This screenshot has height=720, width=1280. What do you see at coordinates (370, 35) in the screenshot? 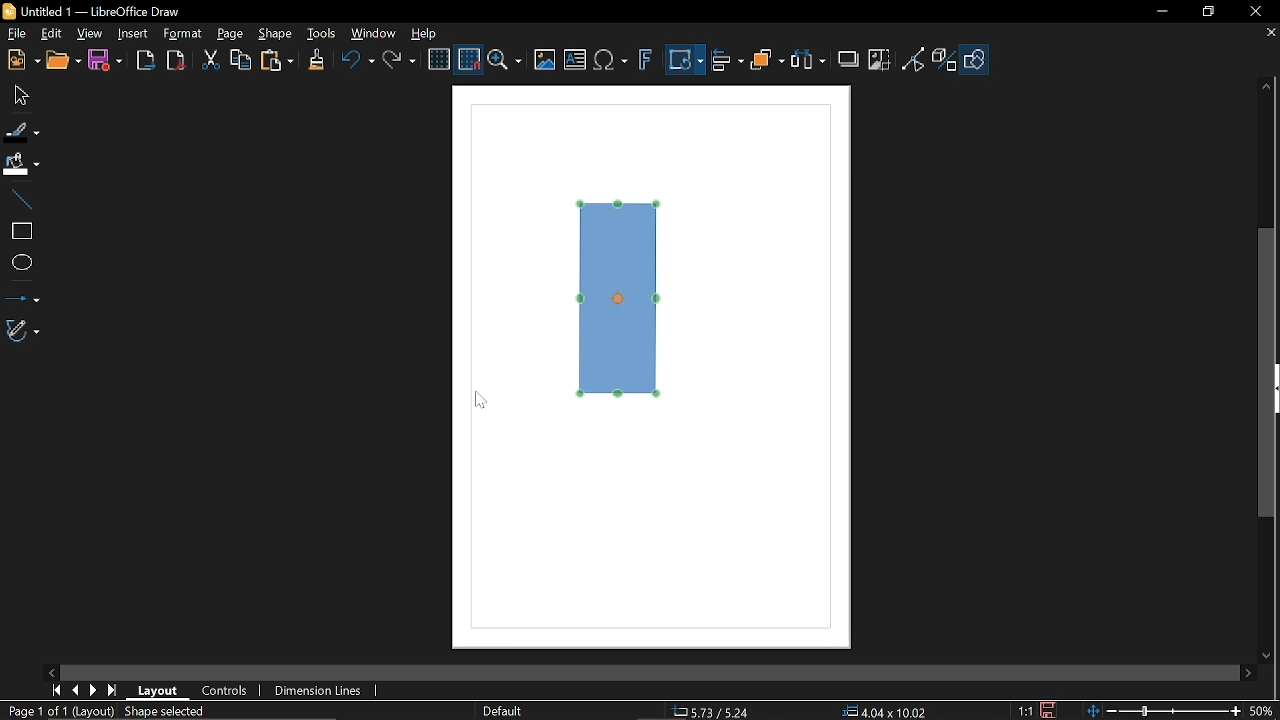
I see `Window` at bounding box center [370, 35].